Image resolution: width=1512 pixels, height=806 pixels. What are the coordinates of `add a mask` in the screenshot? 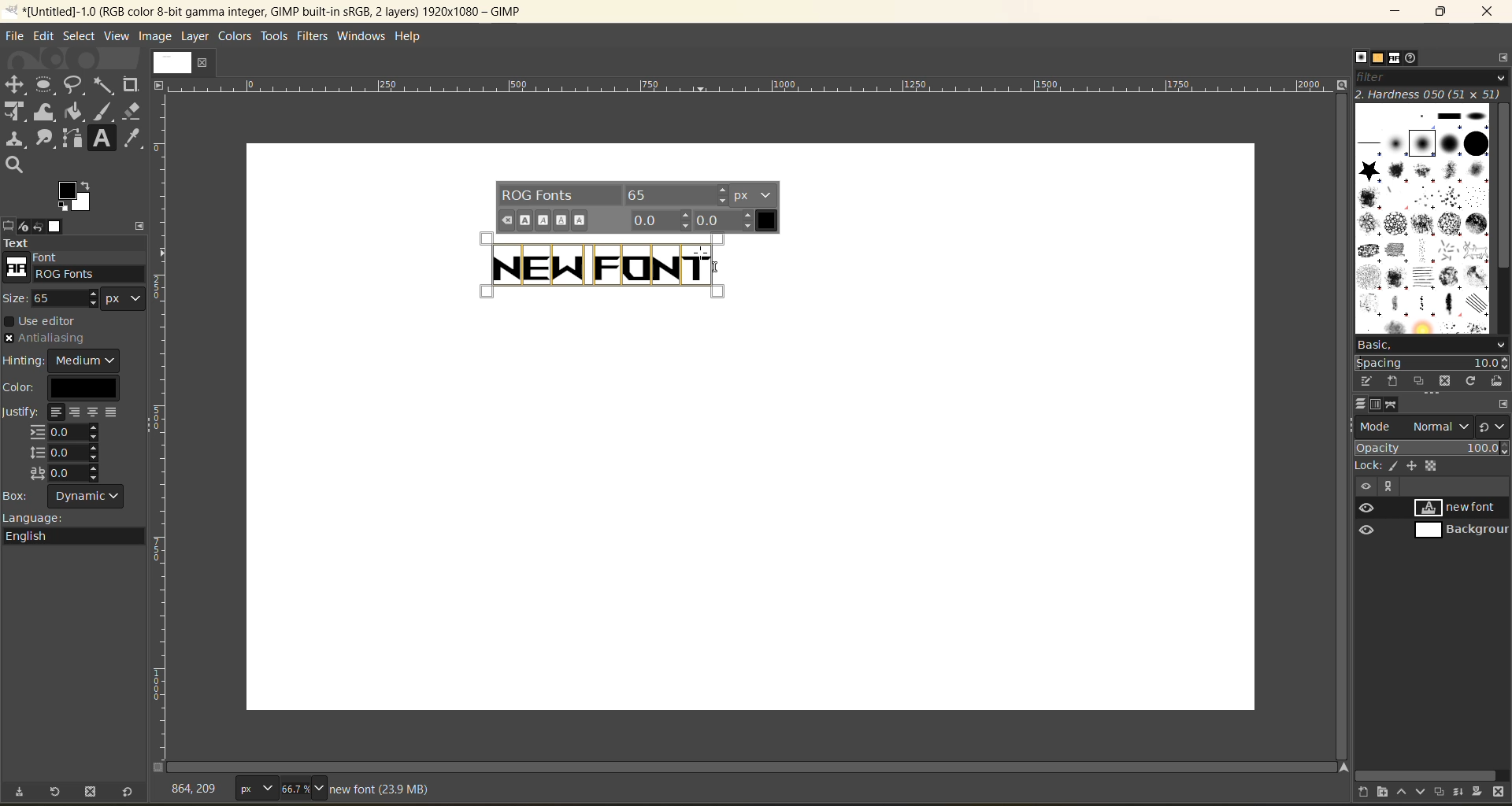 It's located at (1479, 790).